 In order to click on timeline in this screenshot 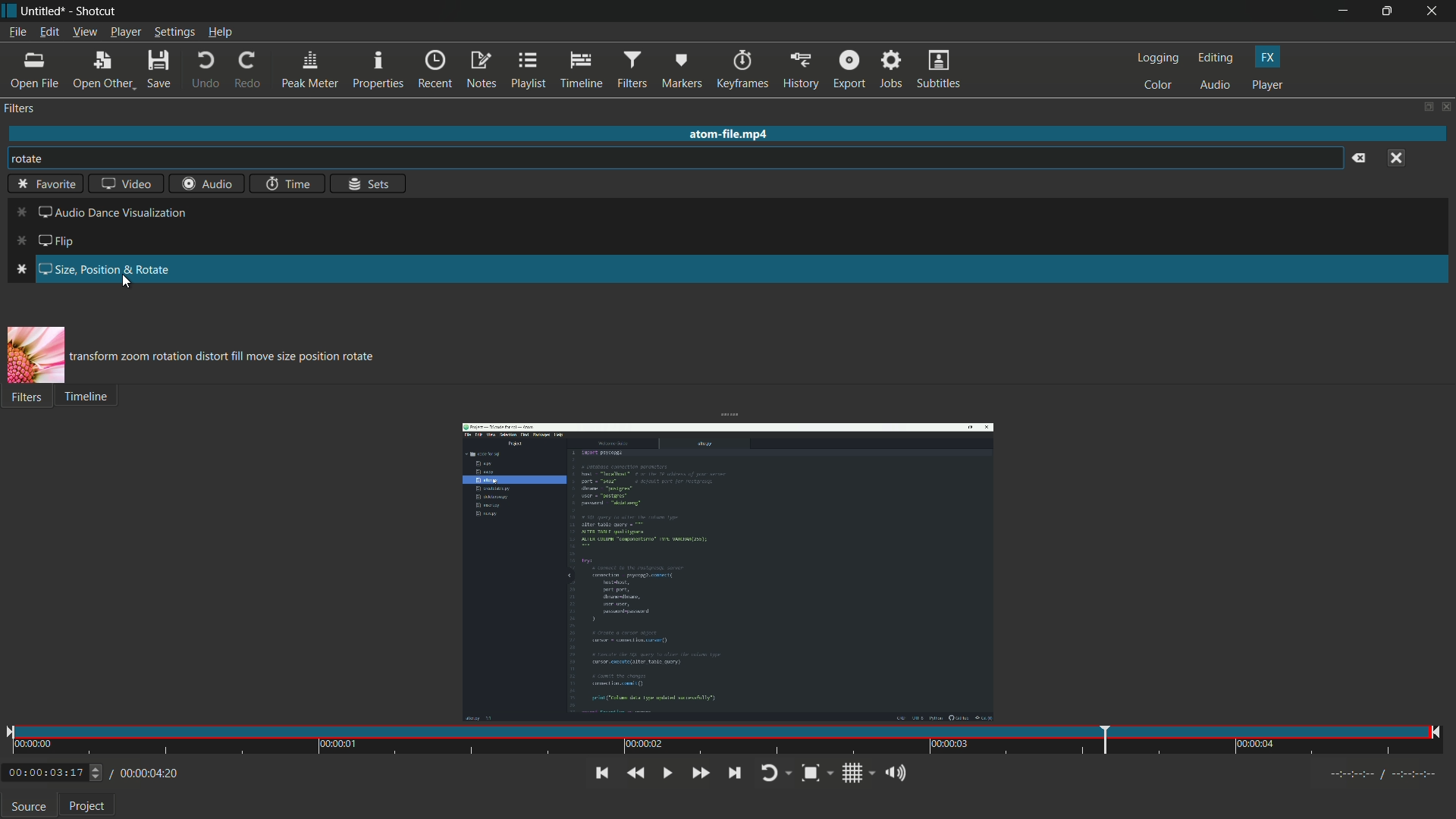, I will do `click(579, 71)`.